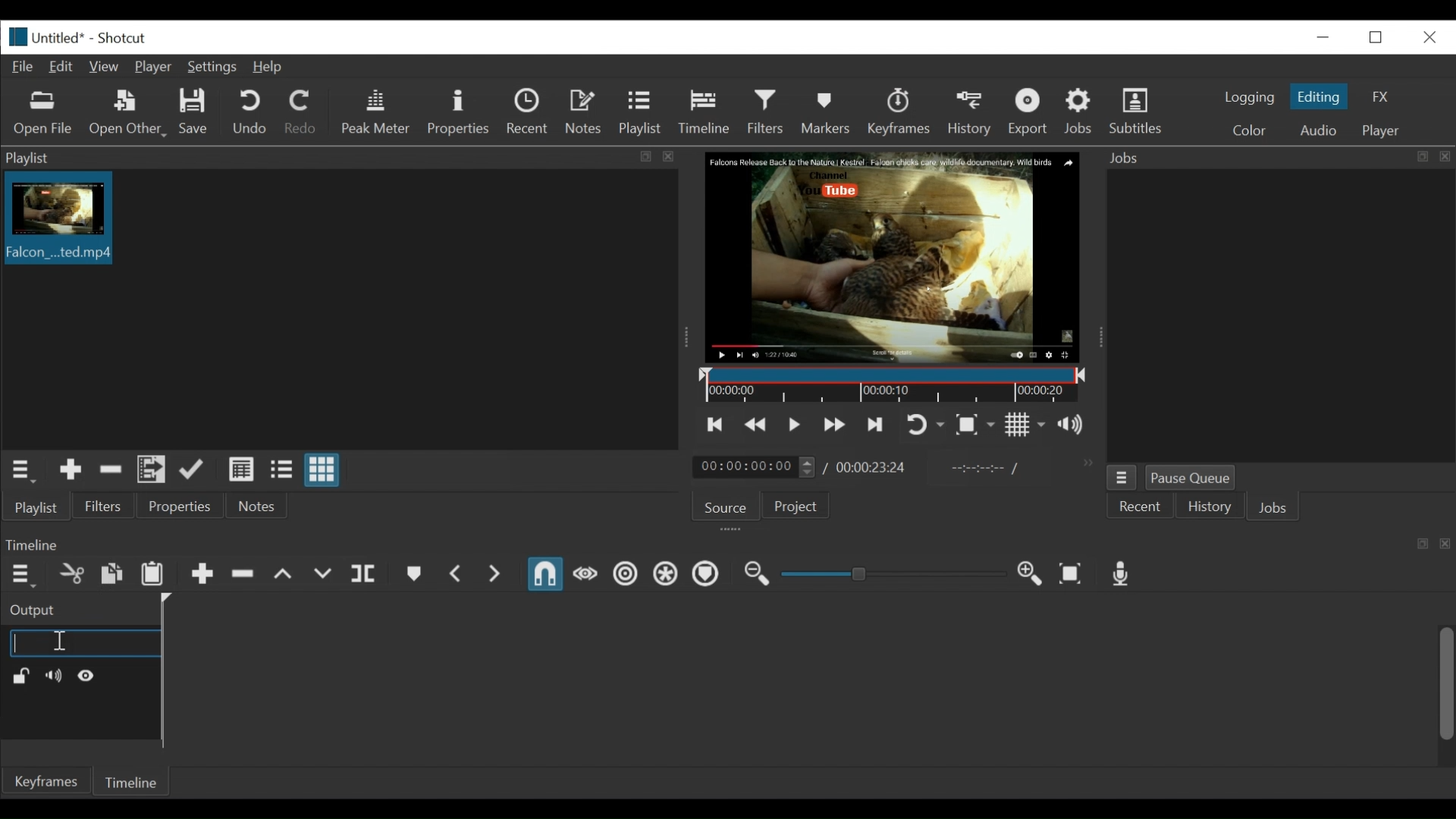  What do you see at coordinates (51, 676) in the screenshot?
I see `Mute ` at bounding box center [51, 676].